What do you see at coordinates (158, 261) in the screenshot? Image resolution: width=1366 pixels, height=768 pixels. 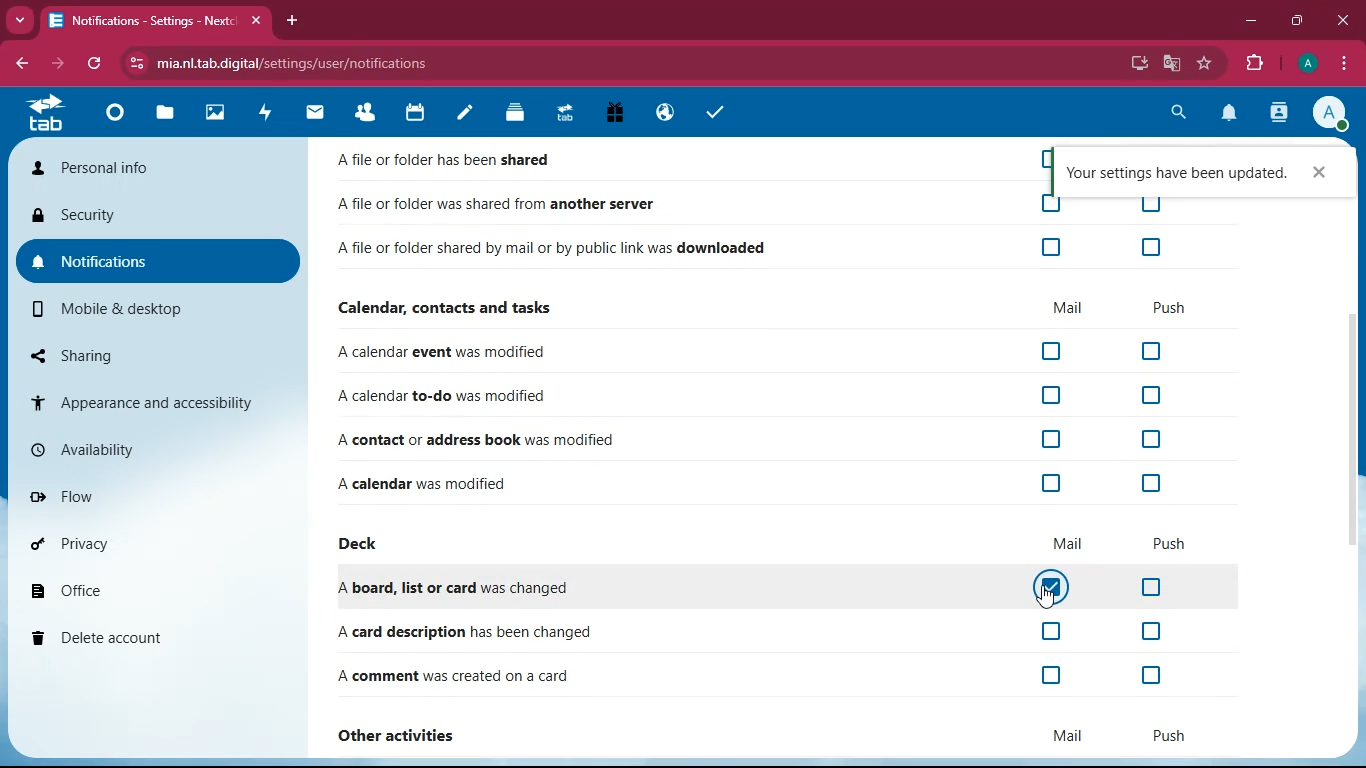 I see `notifications` at bounding box center [158, 261].